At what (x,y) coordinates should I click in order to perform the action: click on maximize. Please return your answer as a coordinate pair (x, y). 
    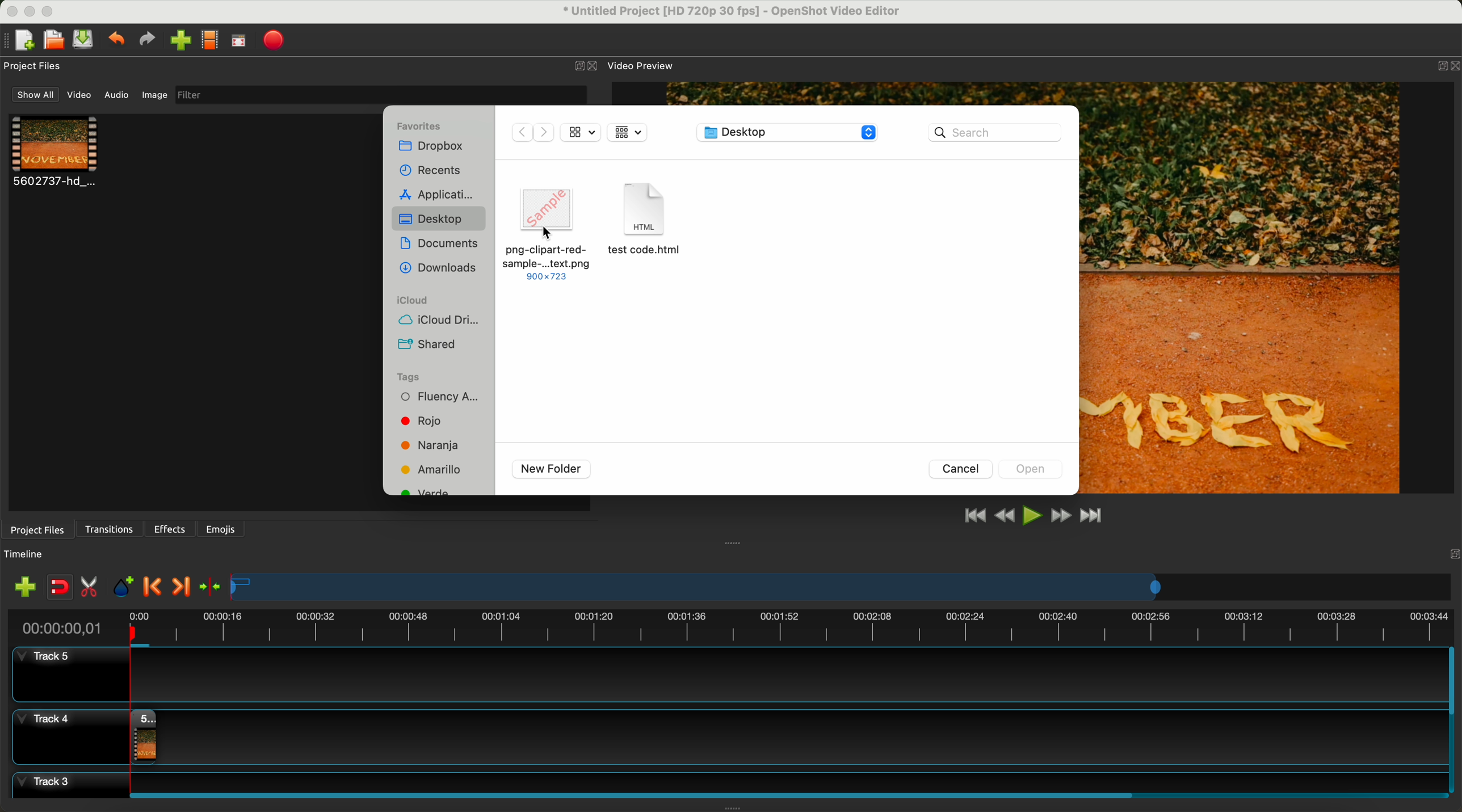
    Looking at the image, I should click on (52, 10).